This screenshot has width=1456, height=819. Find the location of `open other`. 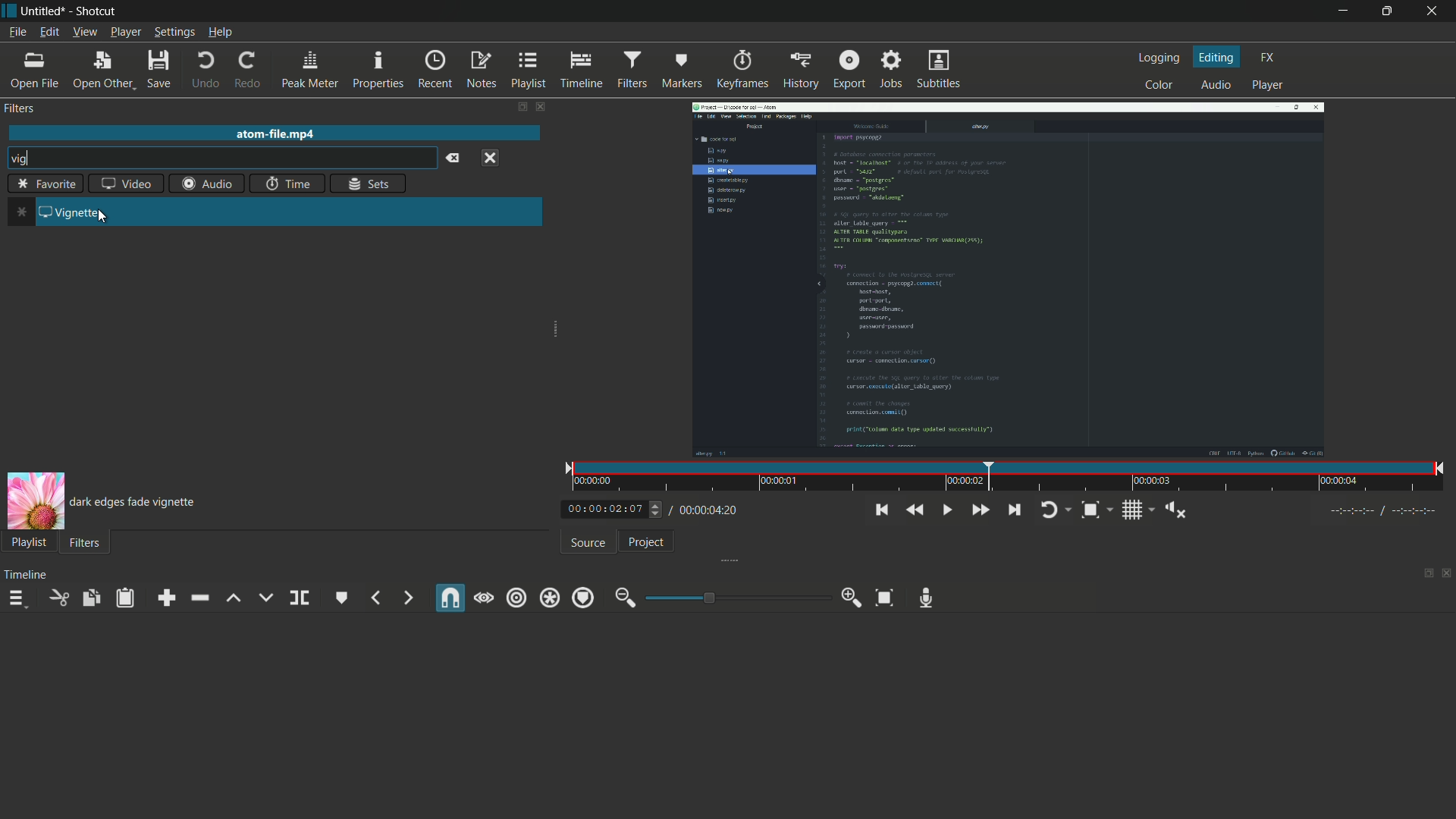

open other is located at coordinates (102, 70).